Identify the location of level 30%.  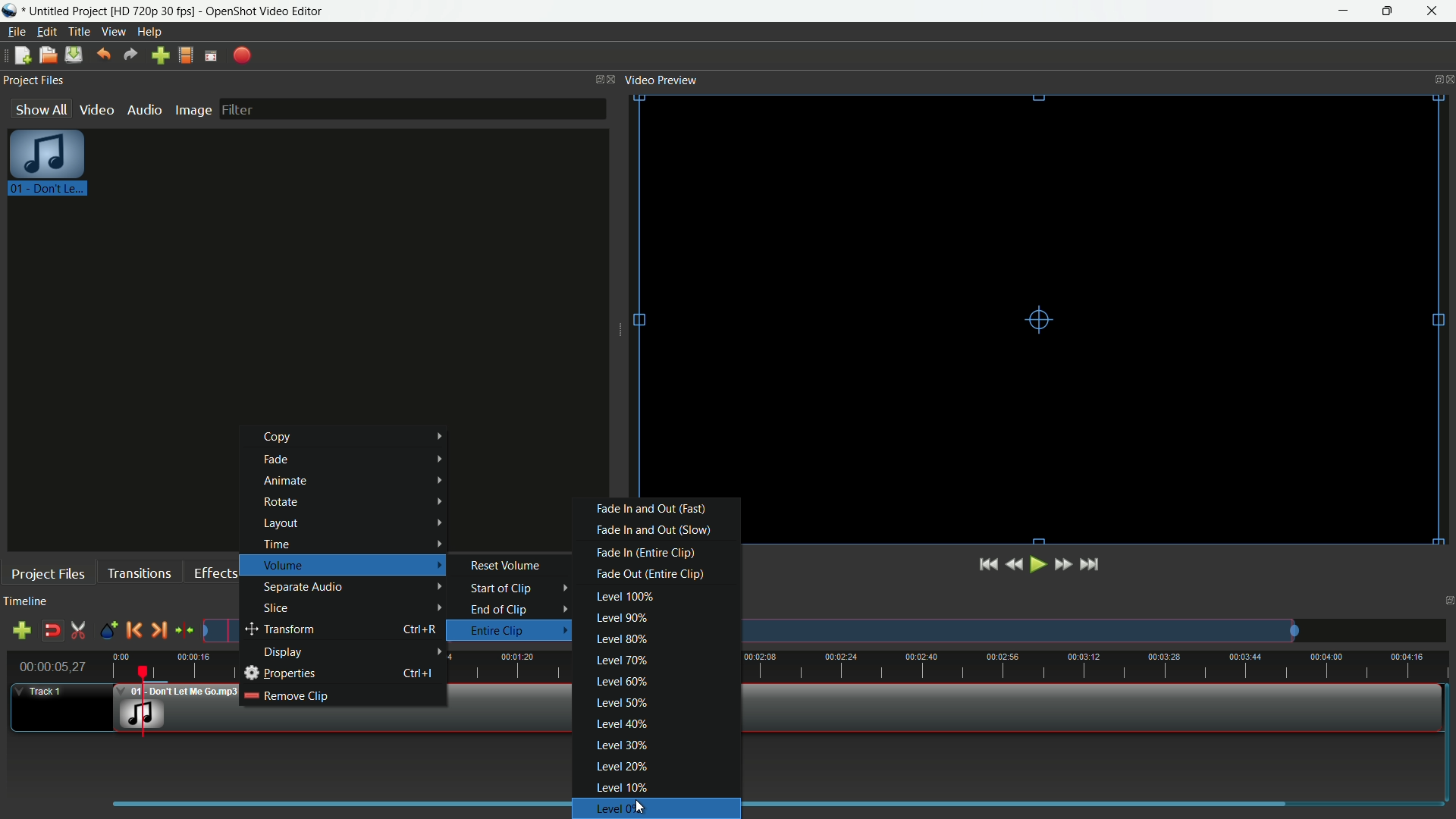
(620, 745).